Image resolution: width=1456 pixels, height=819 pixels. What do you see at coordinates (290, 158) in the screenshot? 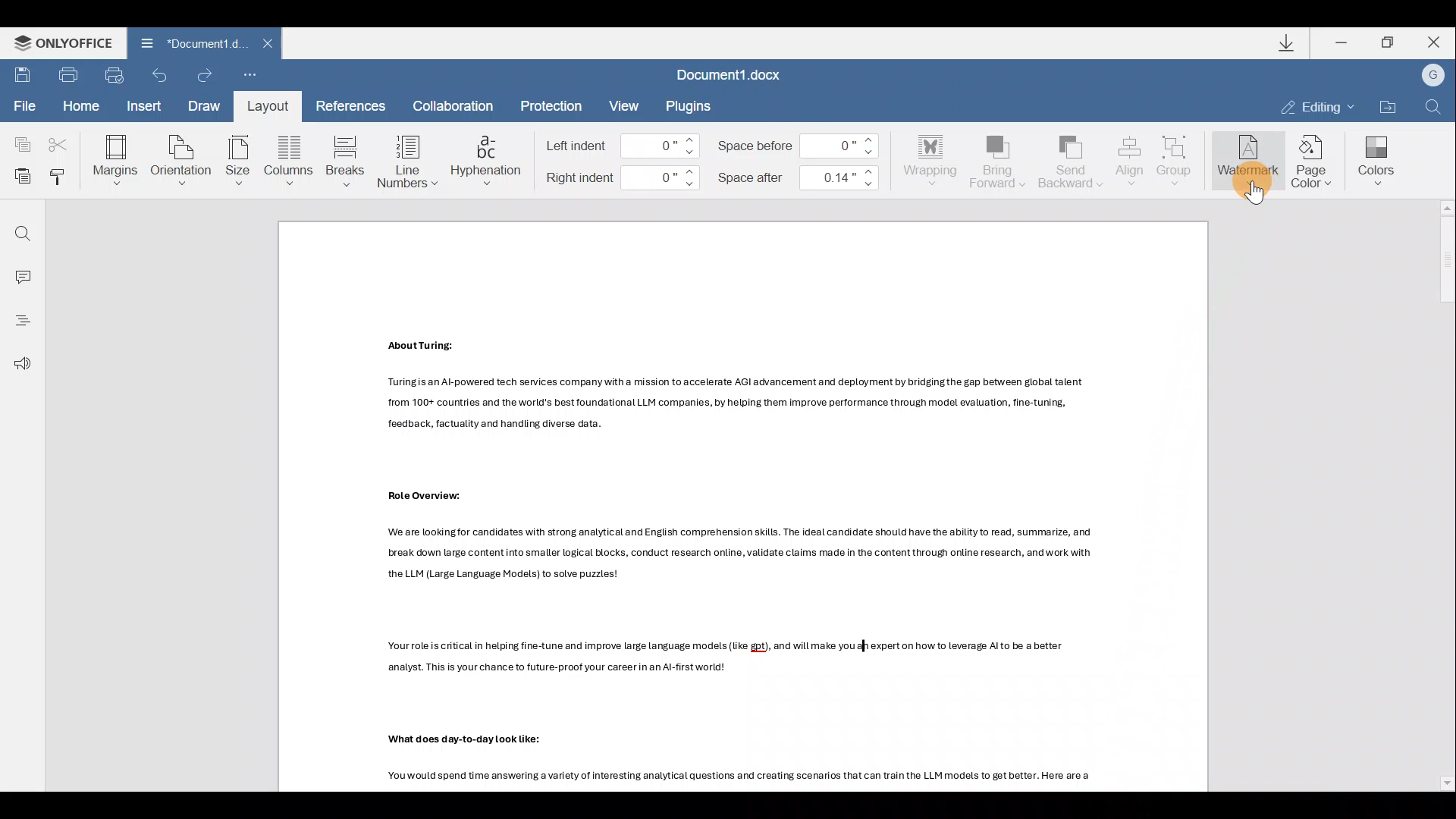
I see `Columns` at bounding box center [290, 158].